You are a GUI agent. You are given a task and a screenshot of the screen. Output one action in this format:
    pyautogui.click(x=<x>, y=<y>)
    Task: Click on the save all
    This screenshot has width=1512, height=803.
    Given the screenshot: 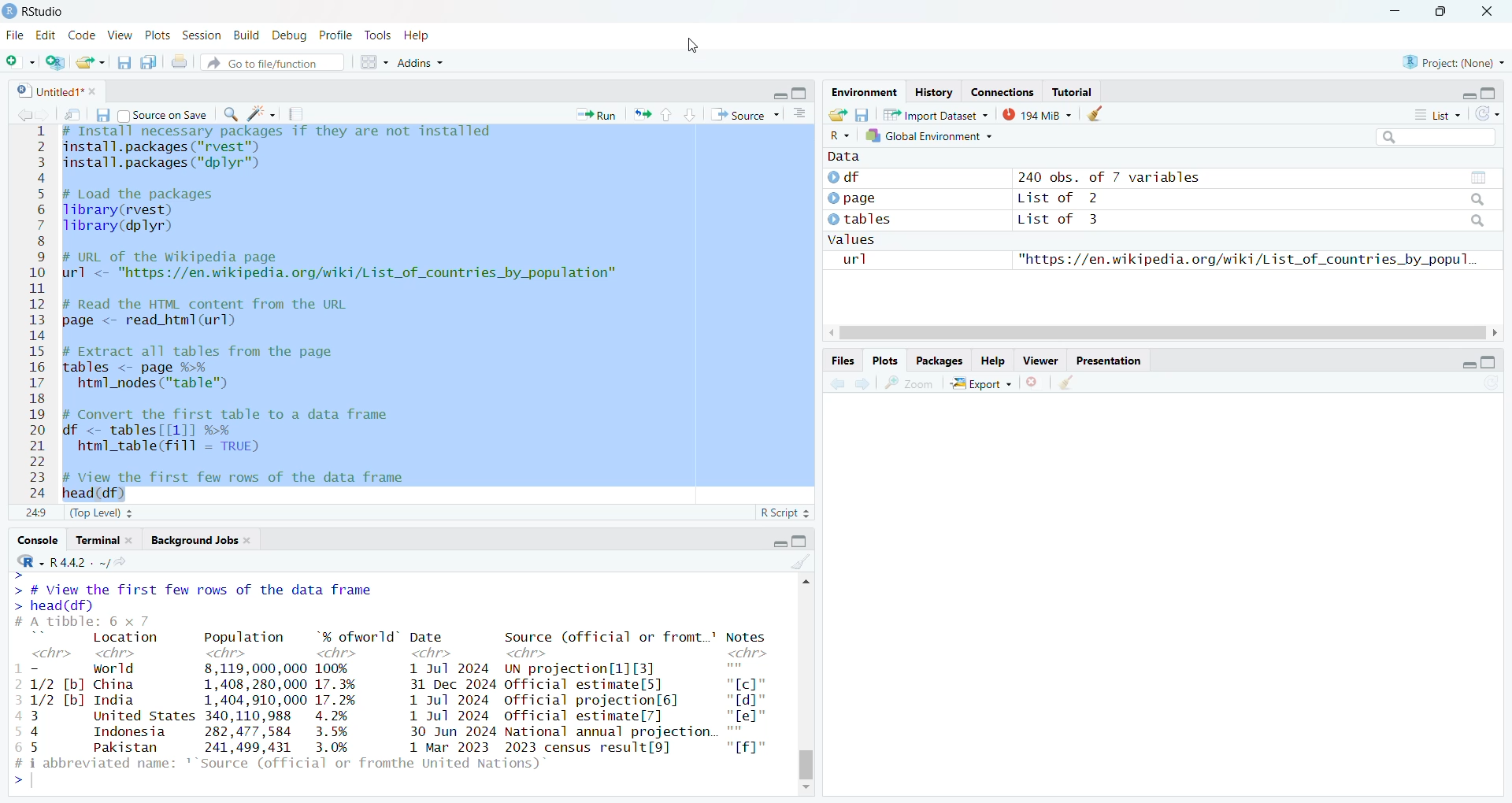 What is the action you would take?
    pyautogui.click(x=150, y=62)
    